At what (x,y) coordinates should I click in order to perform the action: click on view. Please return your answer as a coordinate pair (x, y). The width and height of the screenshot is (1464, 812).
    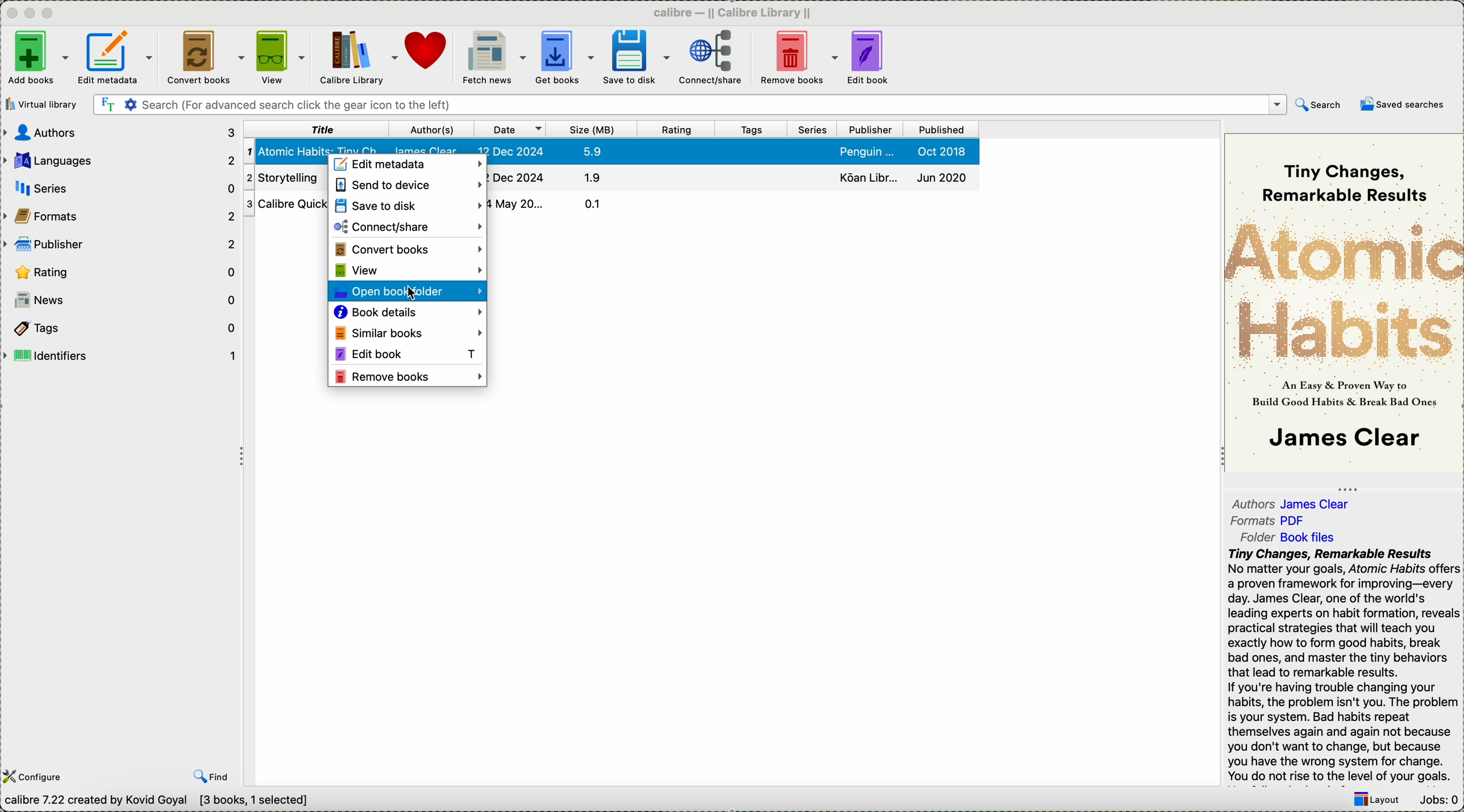
    Looking at the image, I should click on (281, 58).